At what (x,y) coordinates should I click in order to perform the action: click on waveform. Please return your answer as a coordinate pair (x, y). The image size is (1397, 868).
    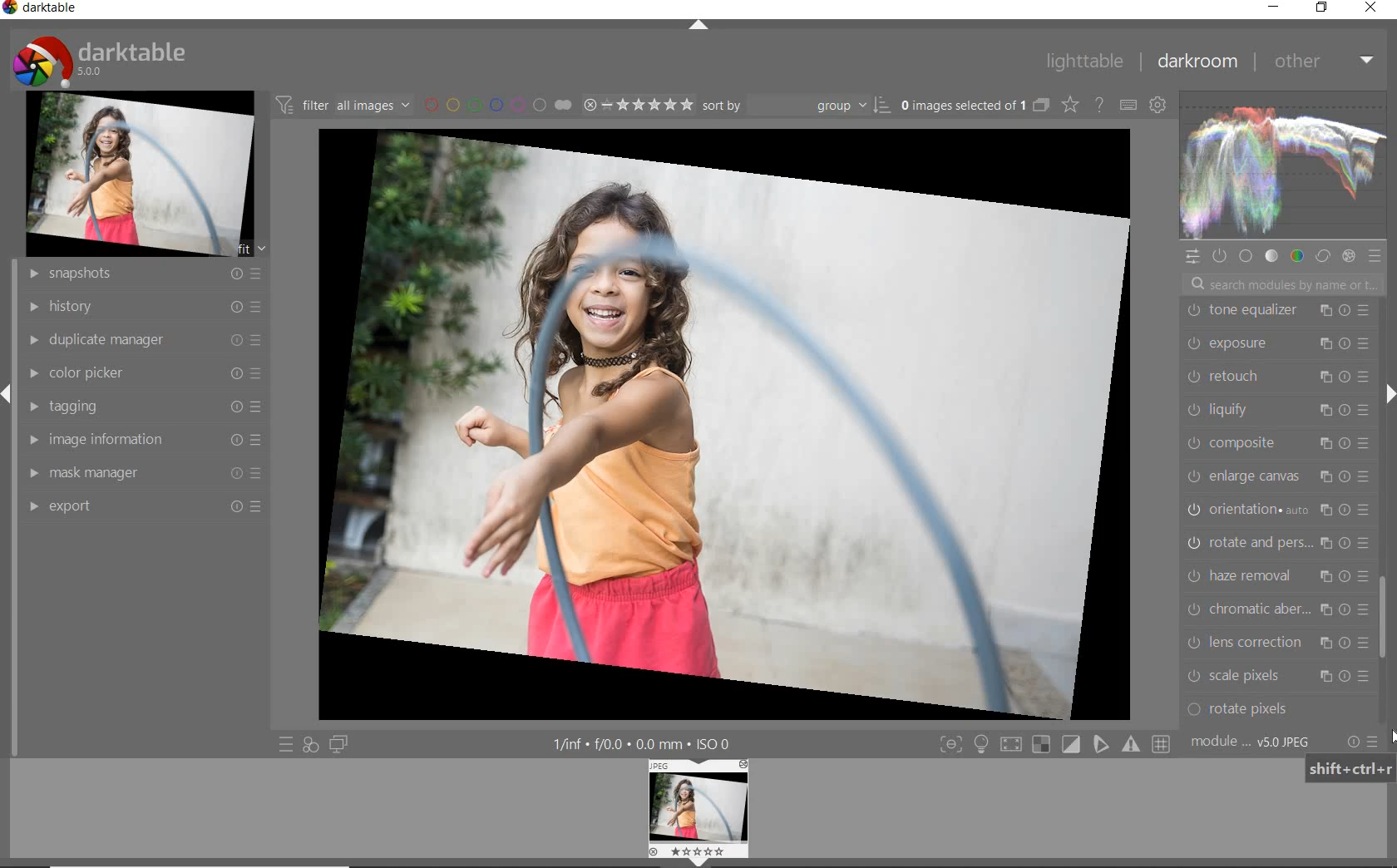
    Looking at the image, I should click on (1281, 165).